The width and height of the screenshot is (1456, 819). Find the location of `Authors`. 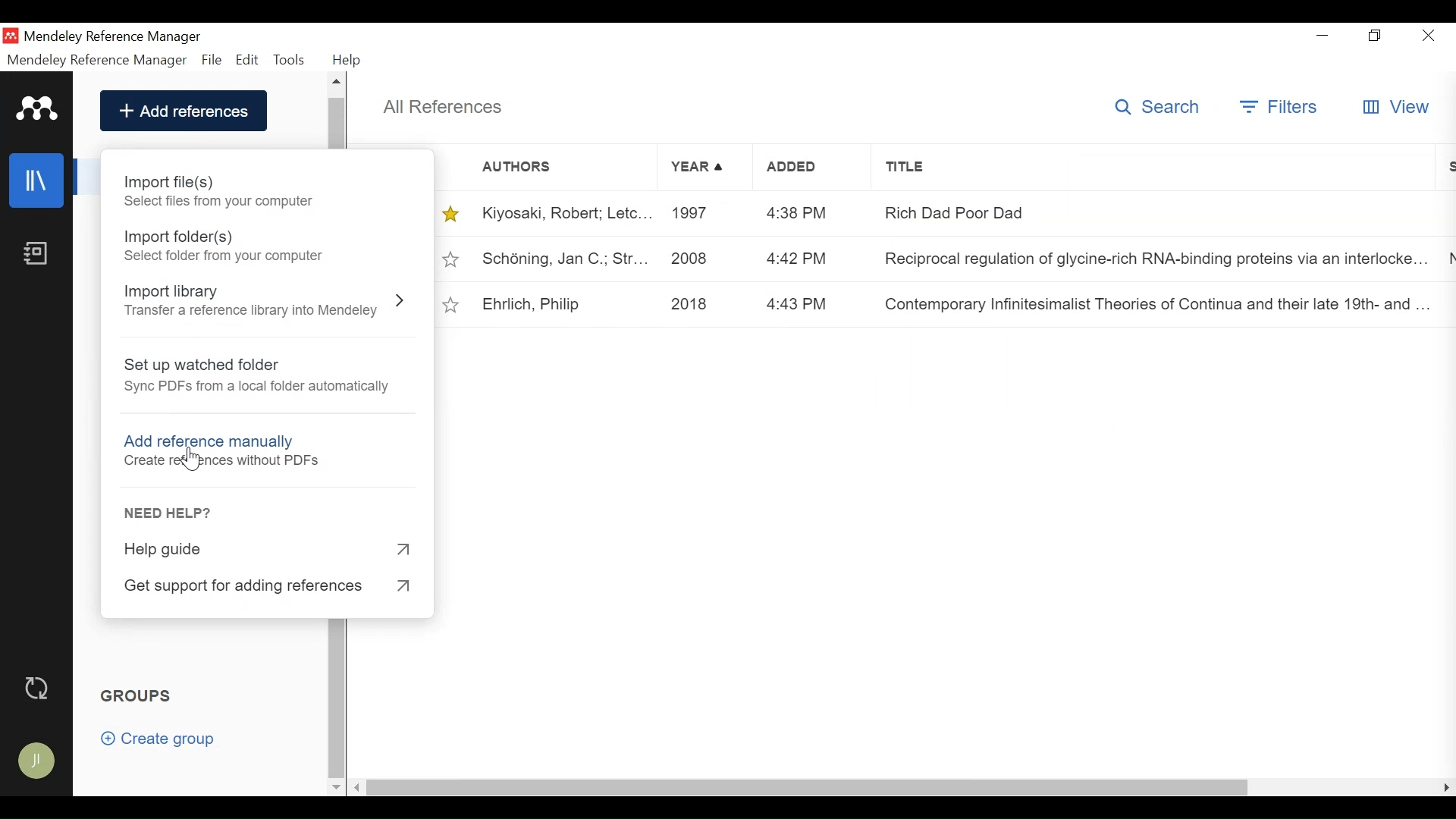

Authors is located at coordinates (535, 168).